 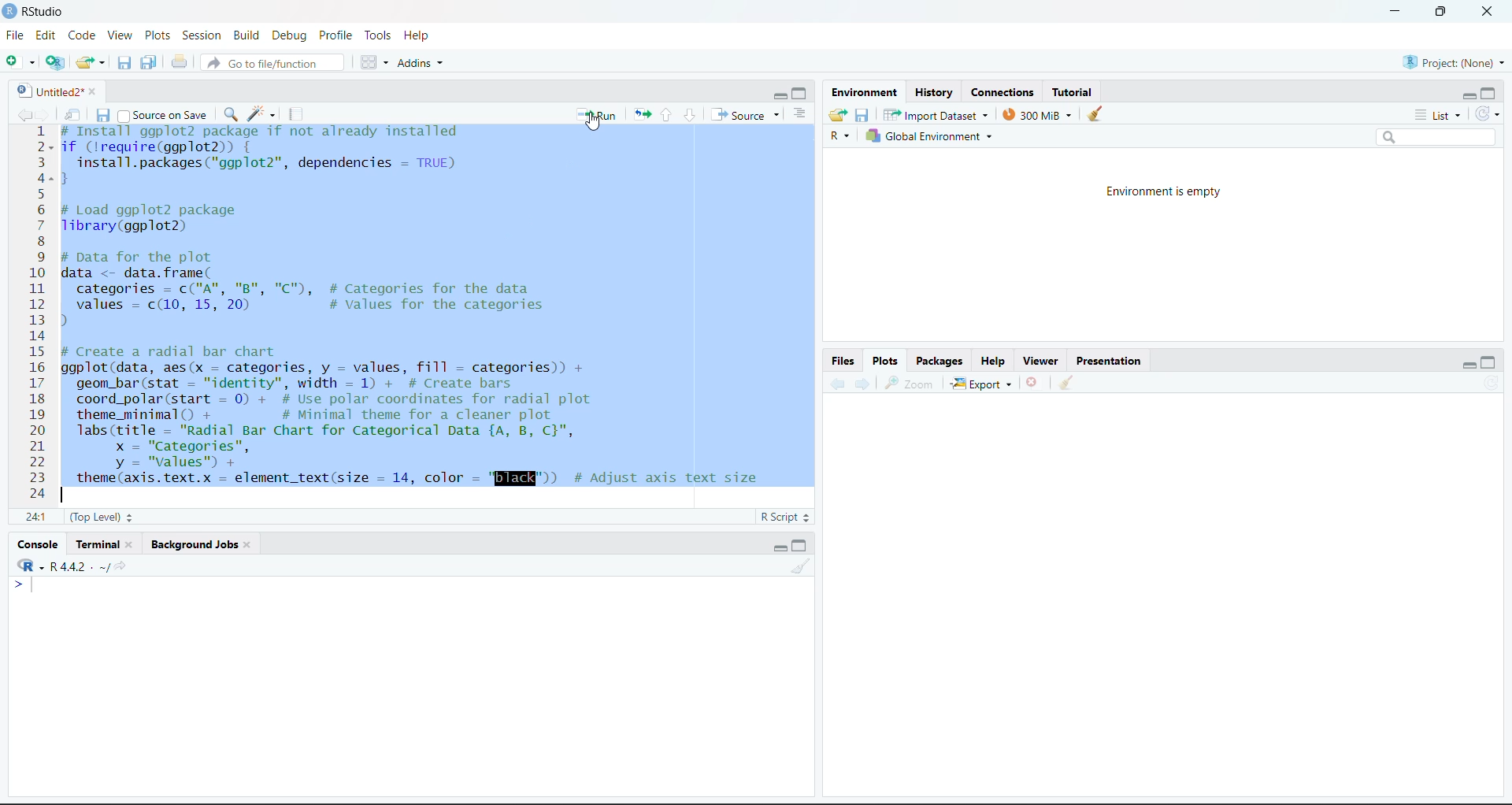 What do you see at coordinates (597, 114) in the screenshot?
I see ` Run` at bounding box center [597, 114].